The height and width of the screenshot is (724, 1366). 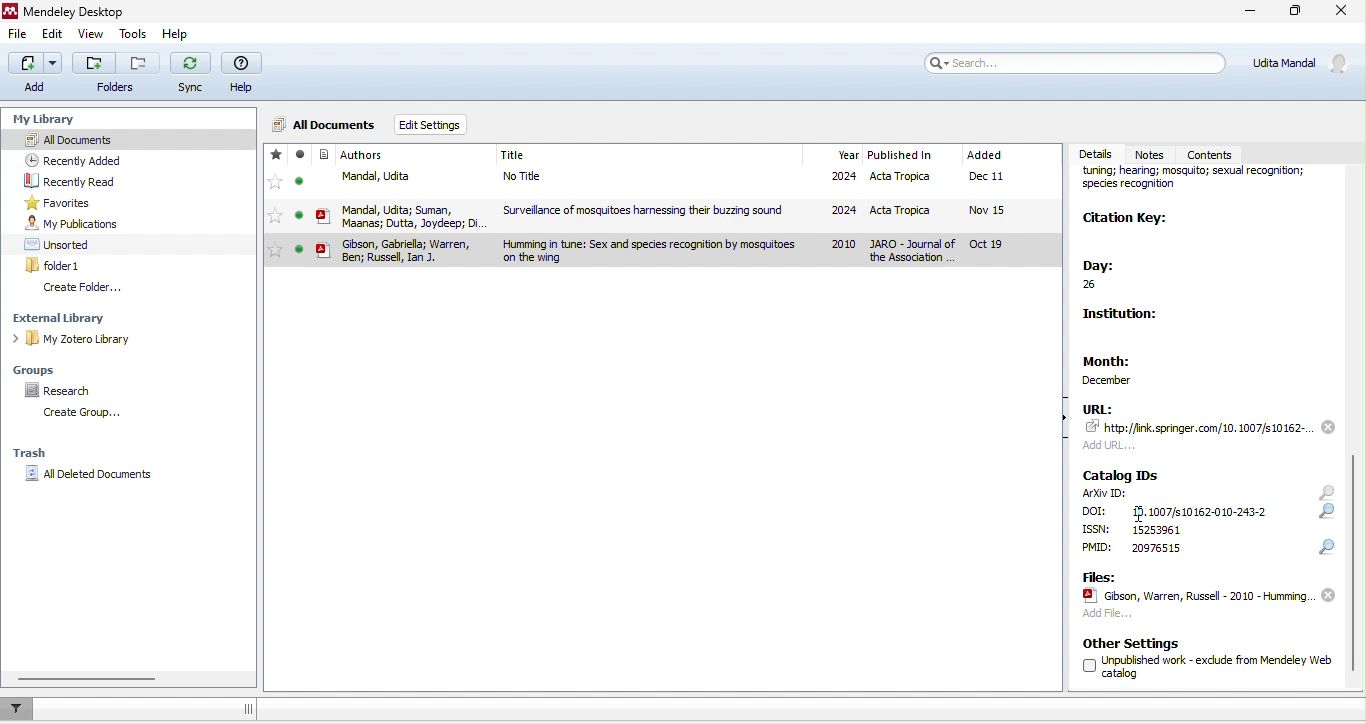 I want to click on search bar, so click(x=1076, y=62).